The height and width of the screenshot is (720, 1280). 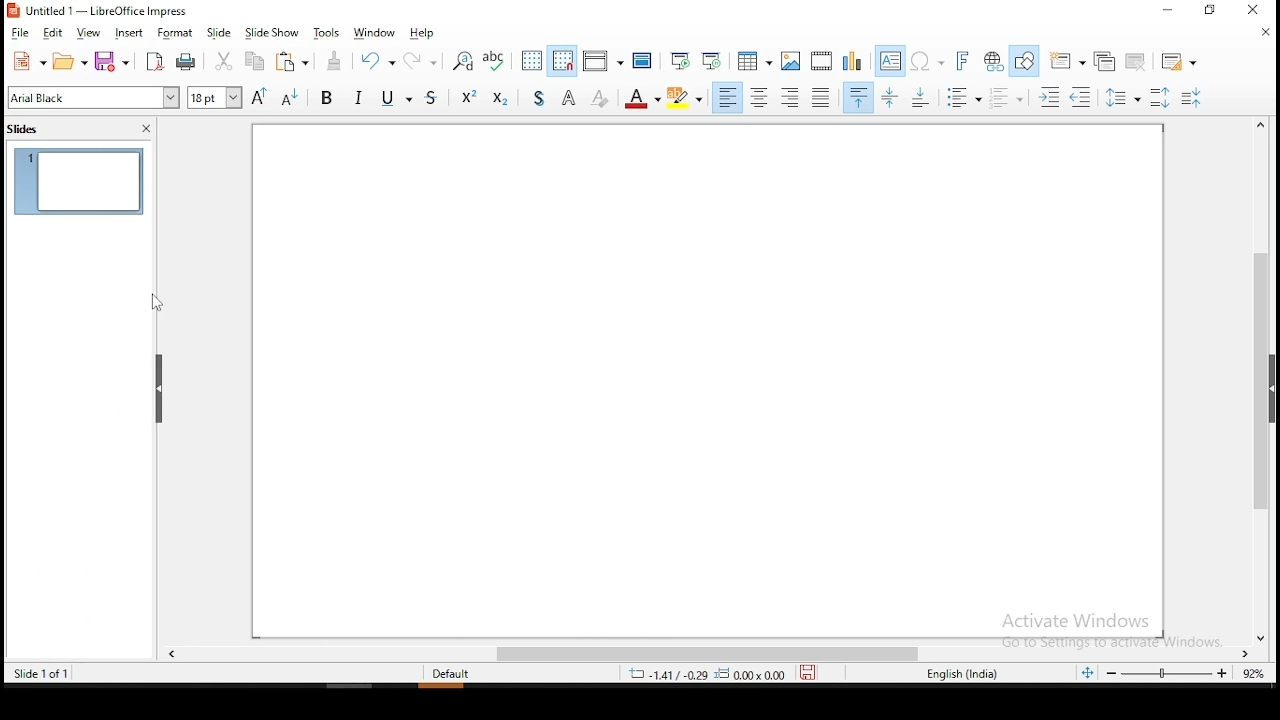 I want to click on Font, so click(x=94, y=97).